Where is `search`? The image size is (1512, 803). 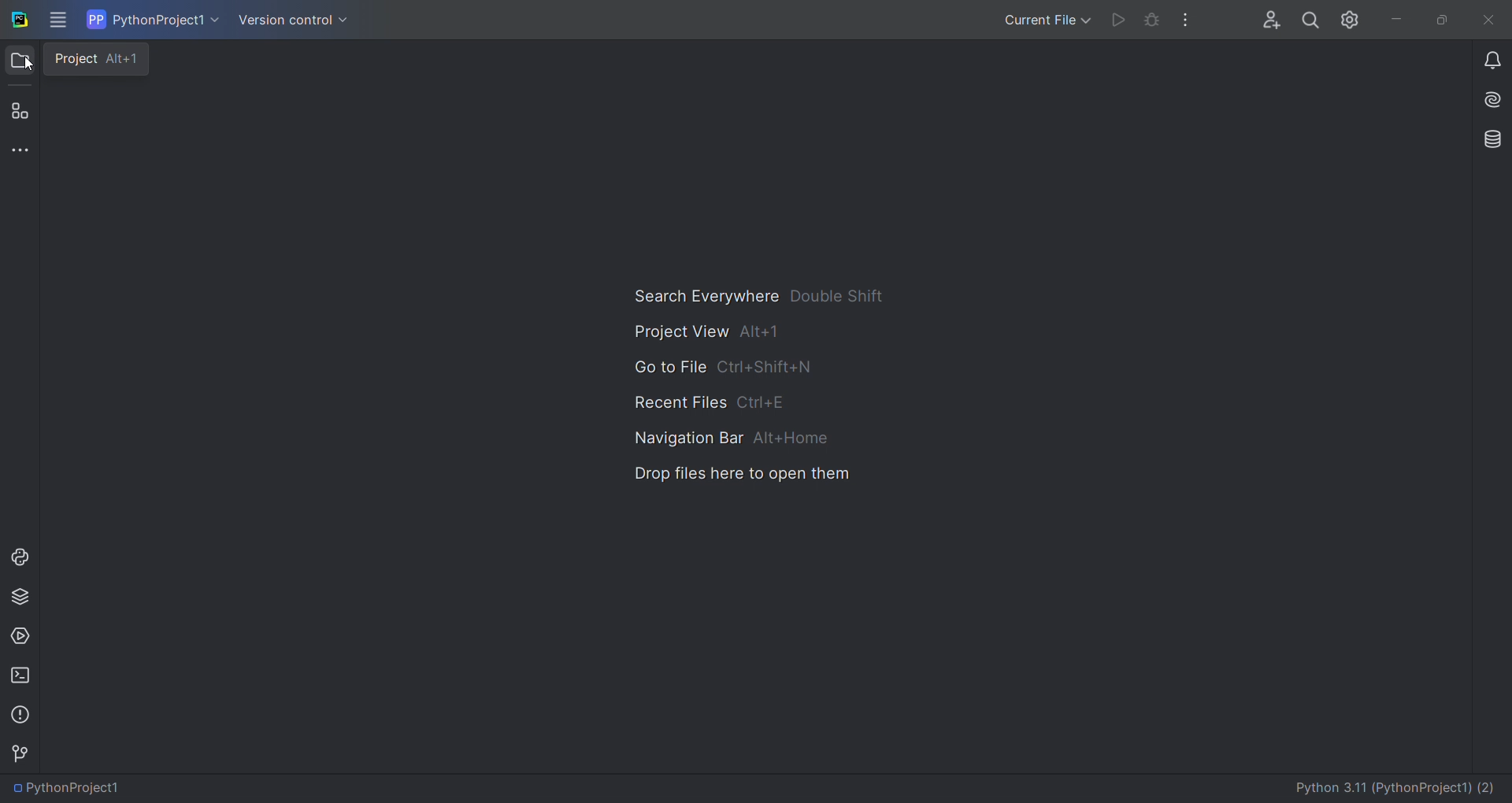 search is located at coordinates (1309, 20).